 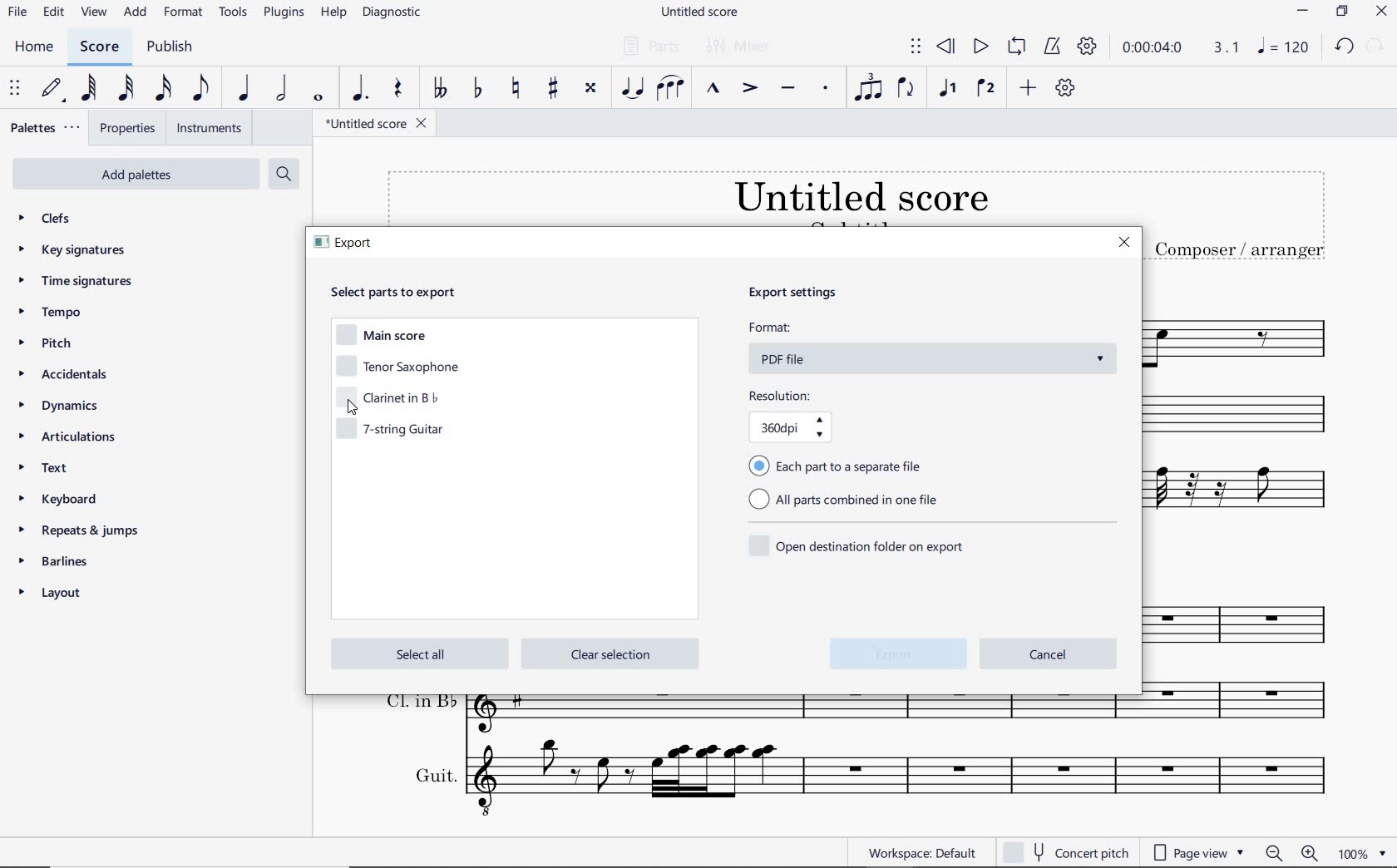 What do you see at coordinates (933, 347) in the screenshot?
I see `format` at bounding box center [933, 347].